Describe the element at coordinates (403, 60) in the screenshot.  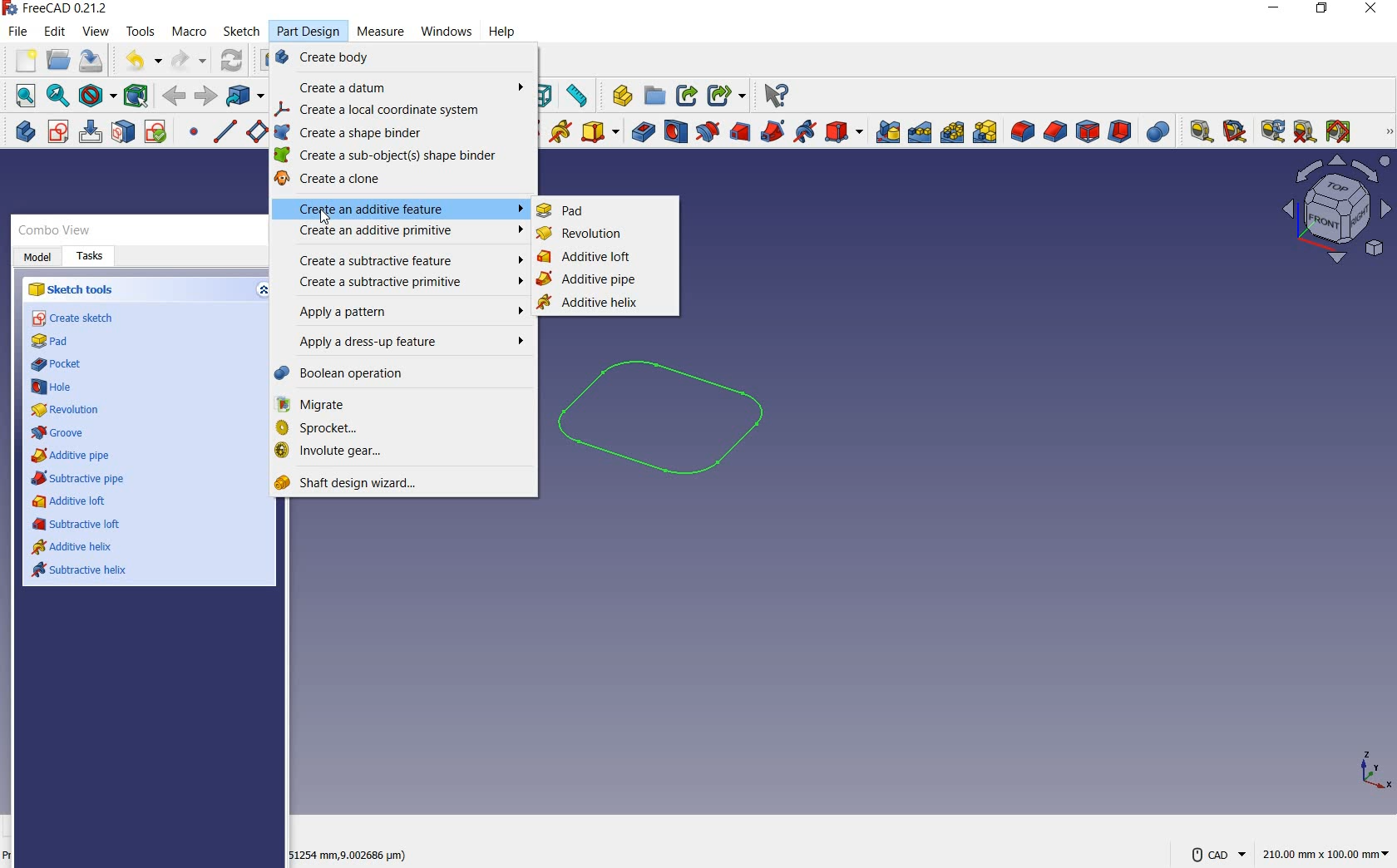
I see `create body` at that location.